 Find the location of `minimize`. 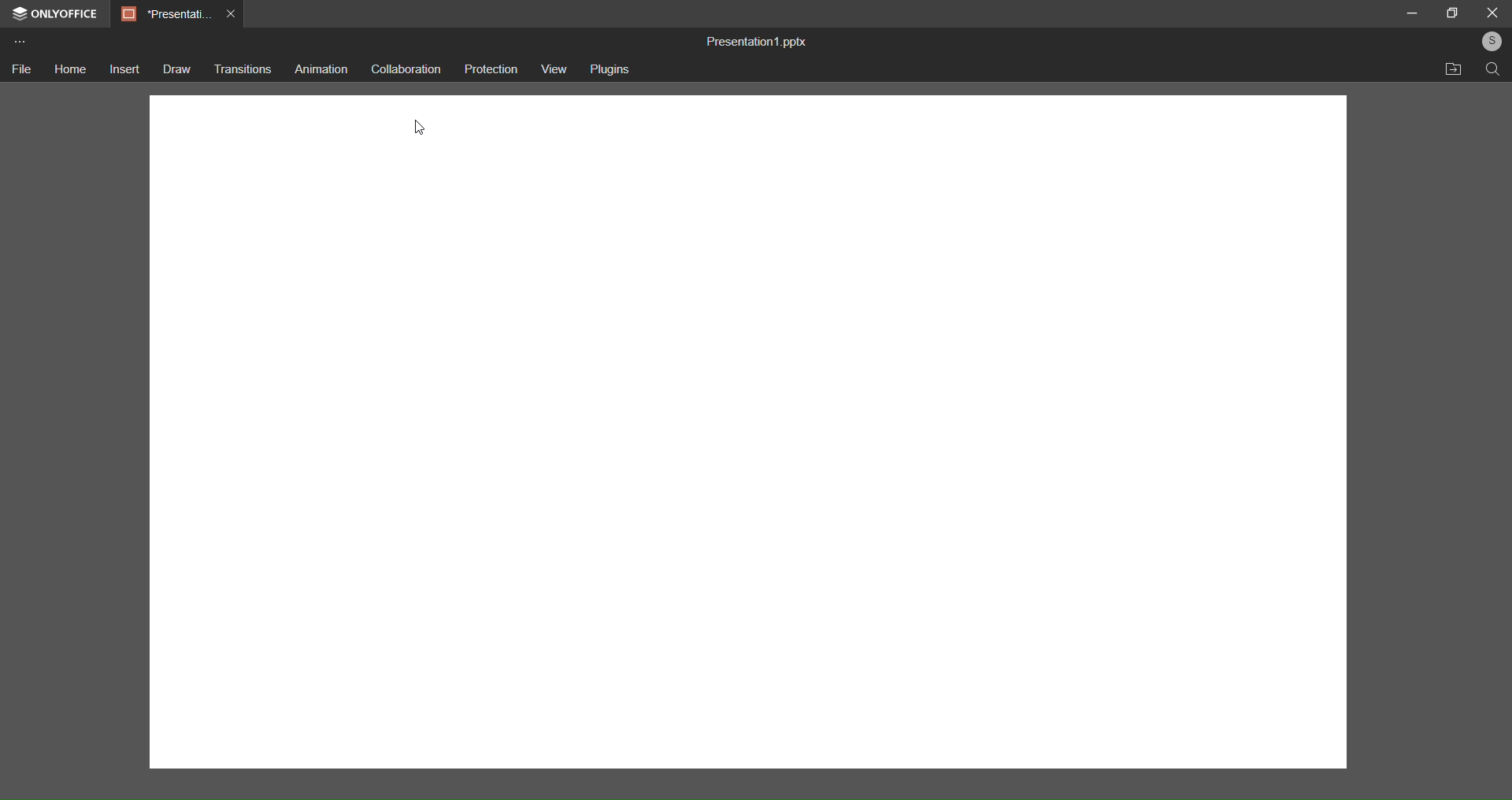

minimize is located at coordinates (1413, 13).